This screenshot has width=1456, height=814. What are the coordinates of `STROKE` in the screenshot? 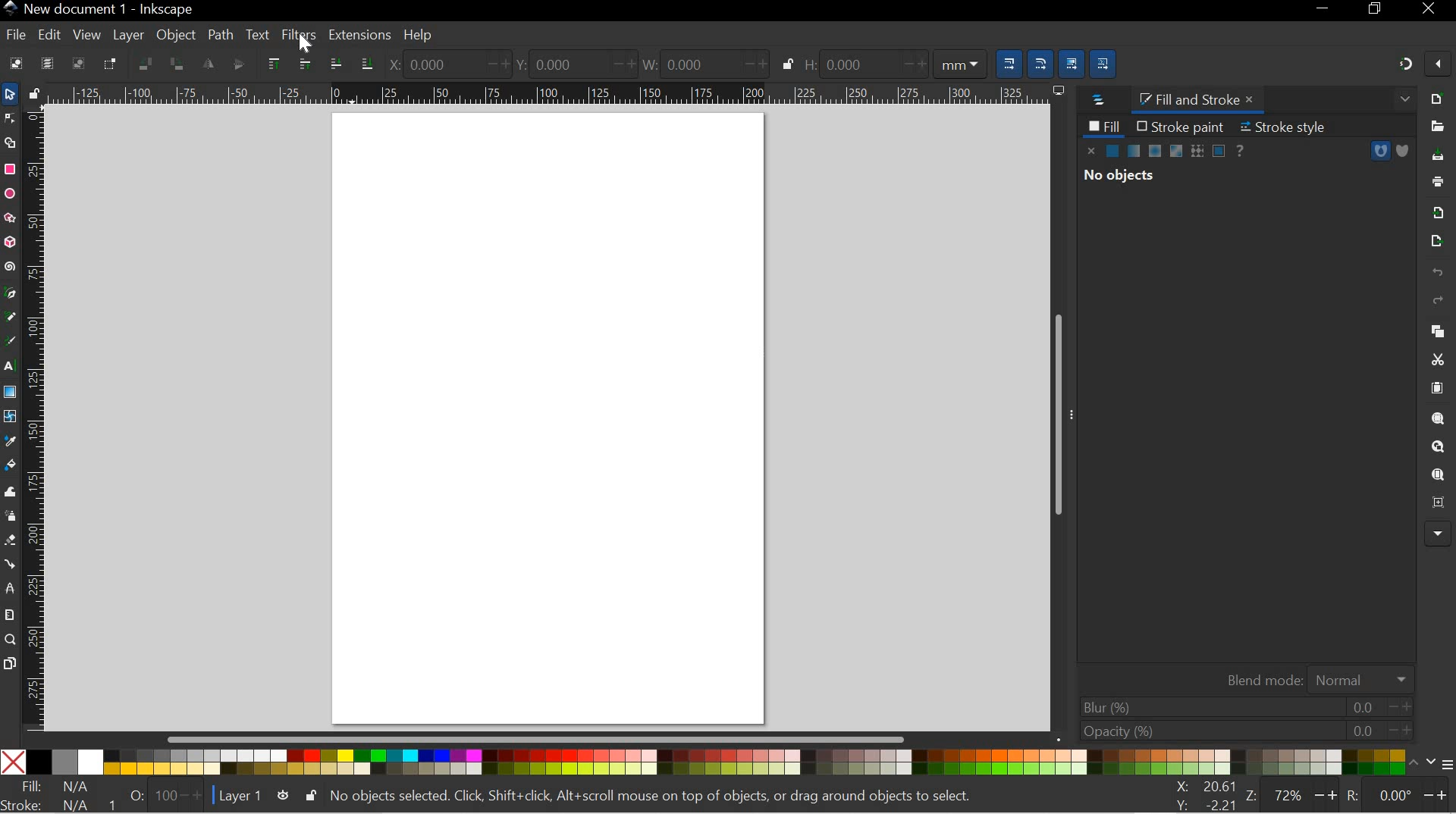 It's located at (54, 805).